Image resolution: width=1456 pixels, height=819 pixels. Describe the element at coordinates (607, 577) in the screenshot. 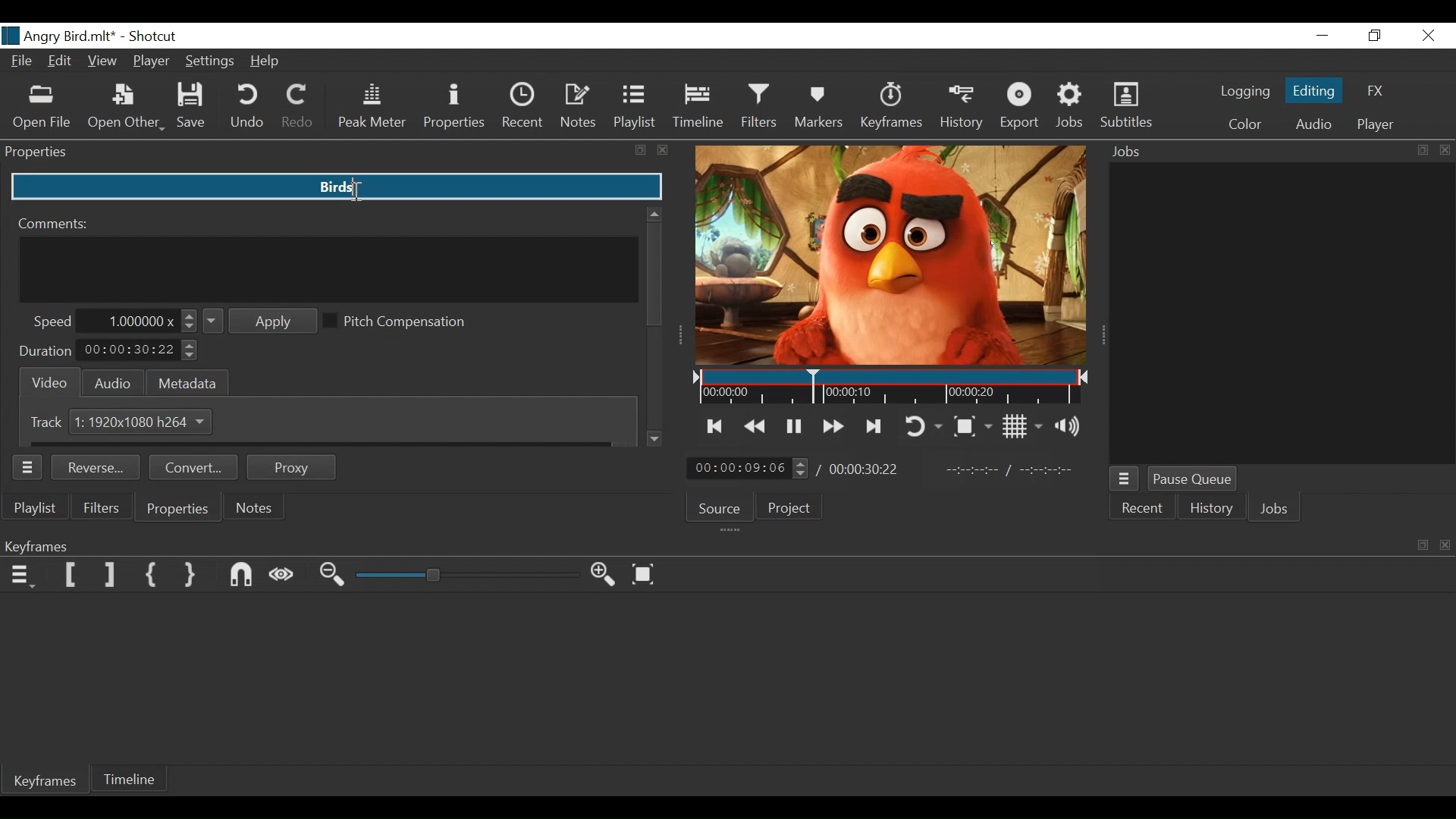

I see `Zoom keyframe in` at that location.